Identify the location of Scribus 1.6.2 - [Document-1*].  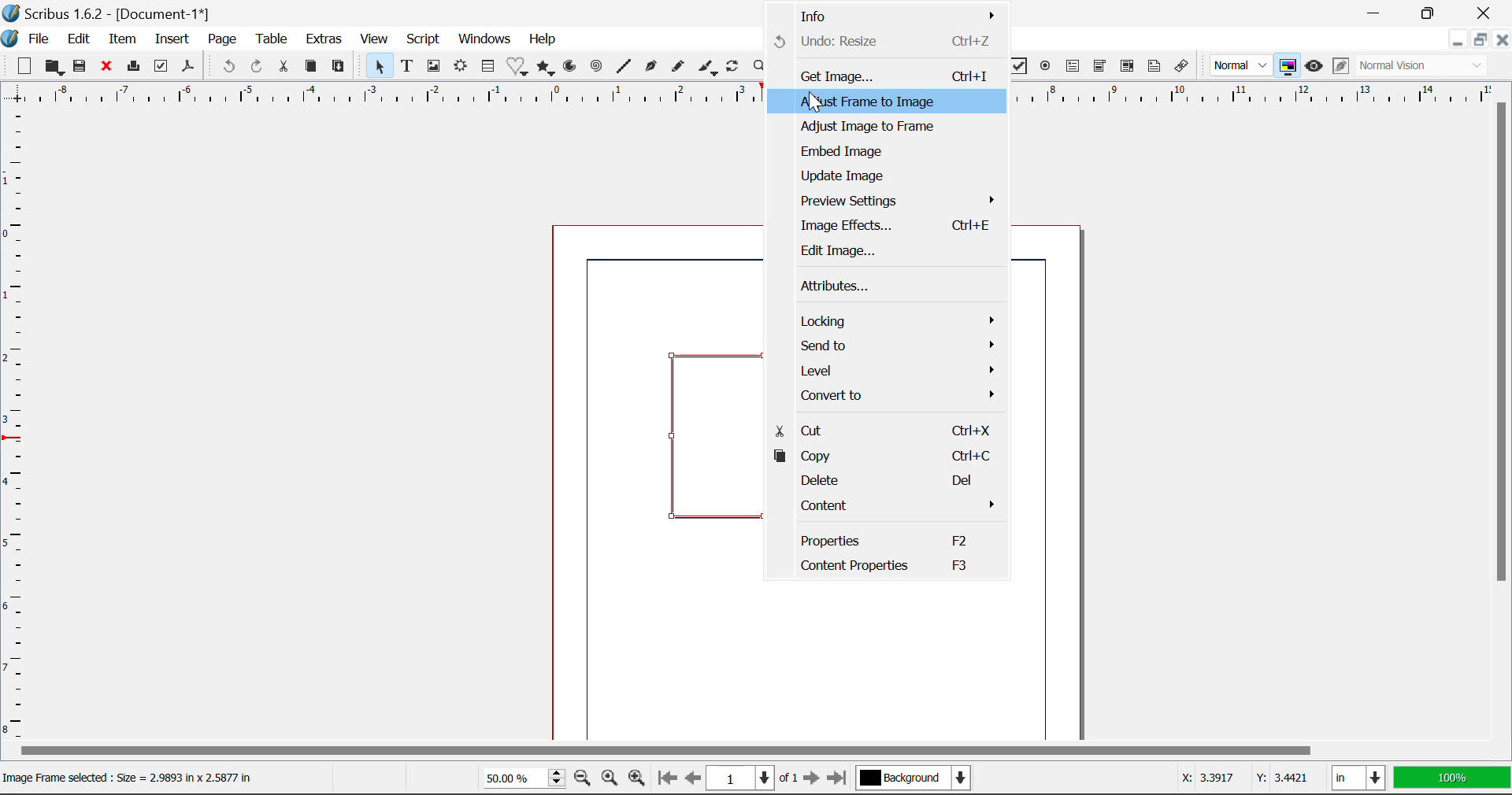
(121, 15).